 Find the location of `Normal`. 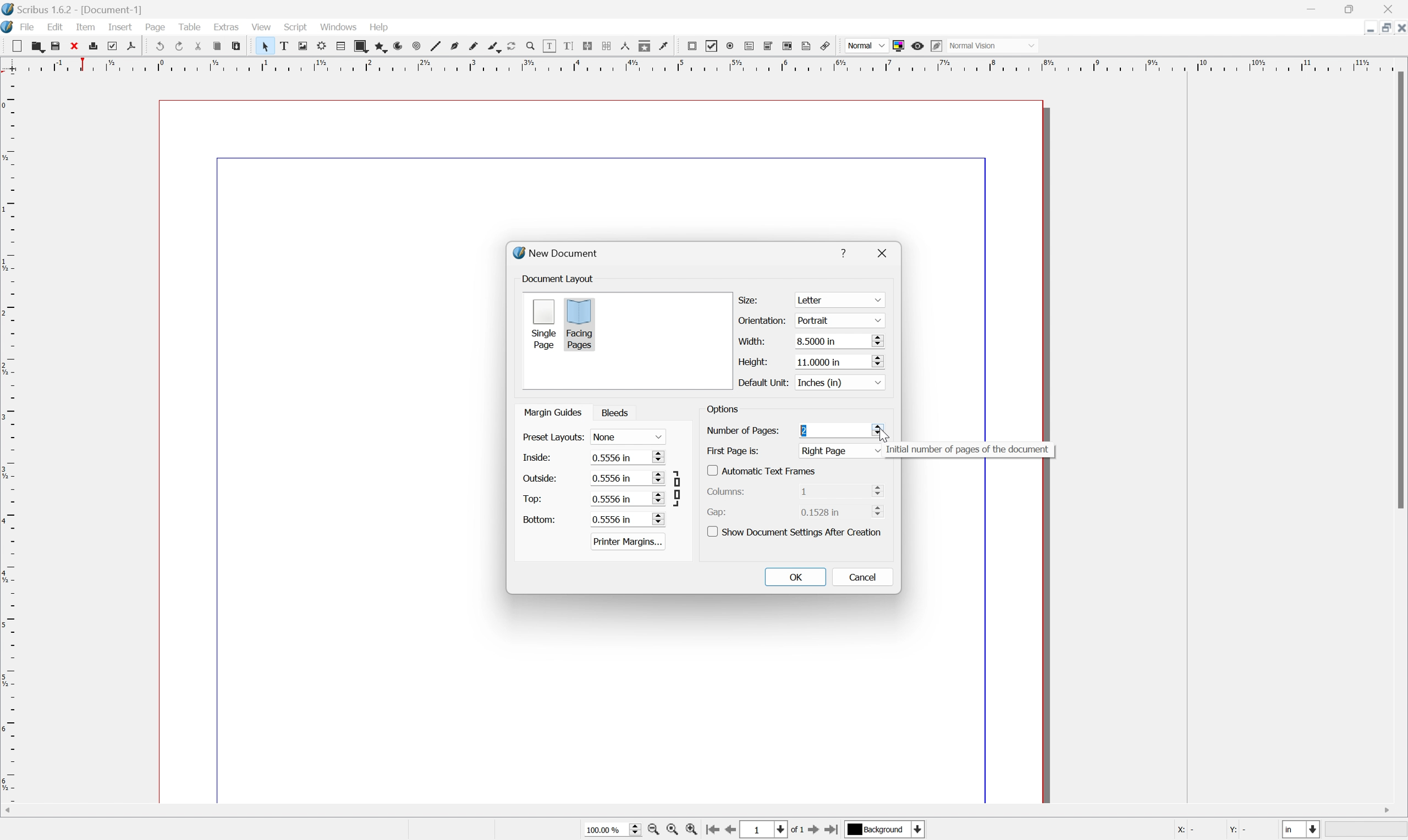

Normal is located at coordinates (864, 45).